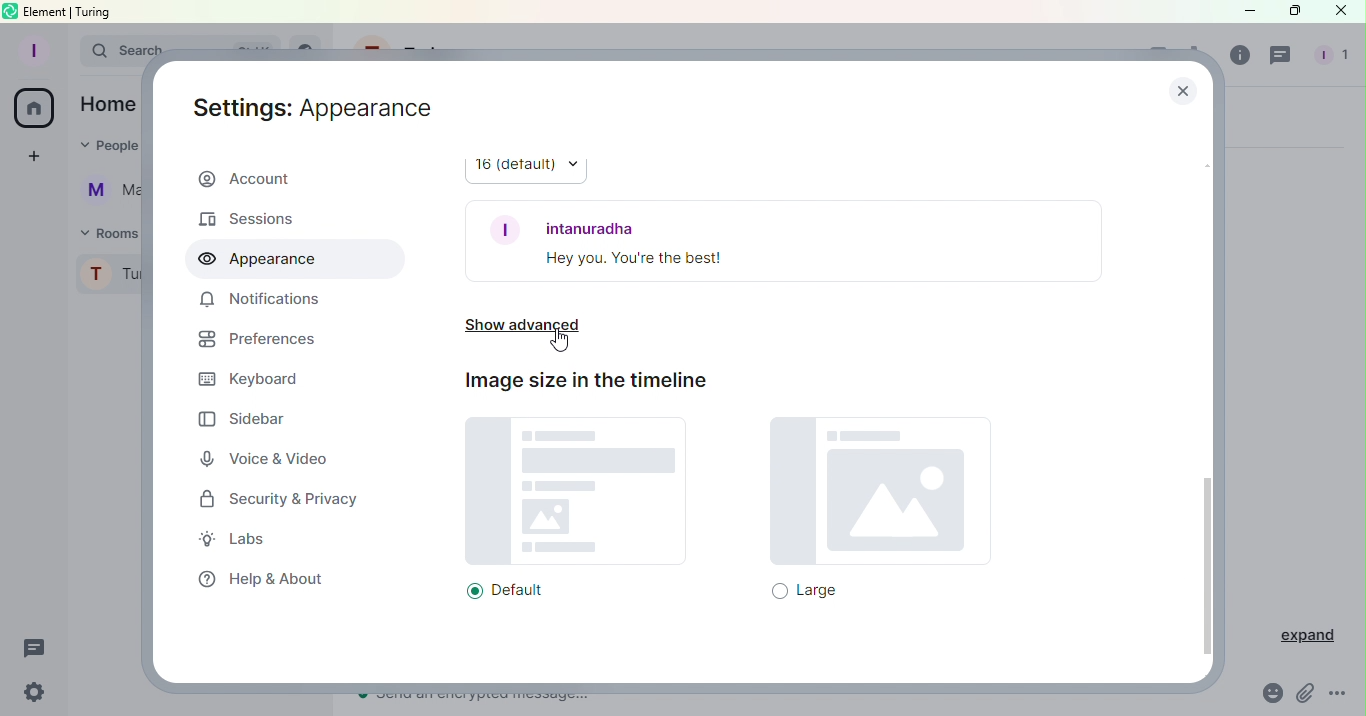  What do you see at coordinates (29, 49) in the screenshot?
I see `Profile` at bounding box center [29, 49].